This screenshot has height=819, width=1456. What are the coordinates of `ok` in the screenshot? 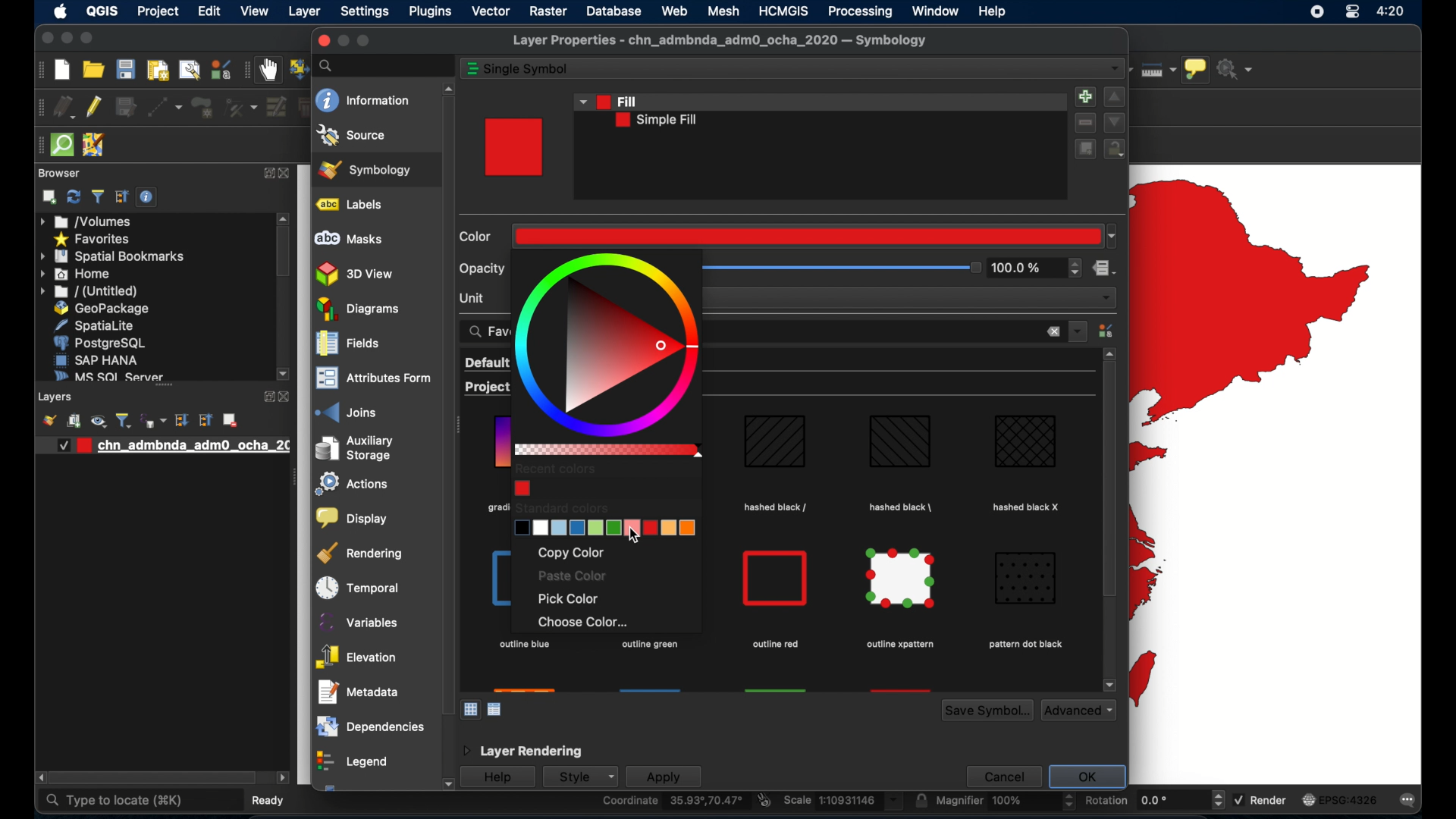 It's located at (1090, 777).